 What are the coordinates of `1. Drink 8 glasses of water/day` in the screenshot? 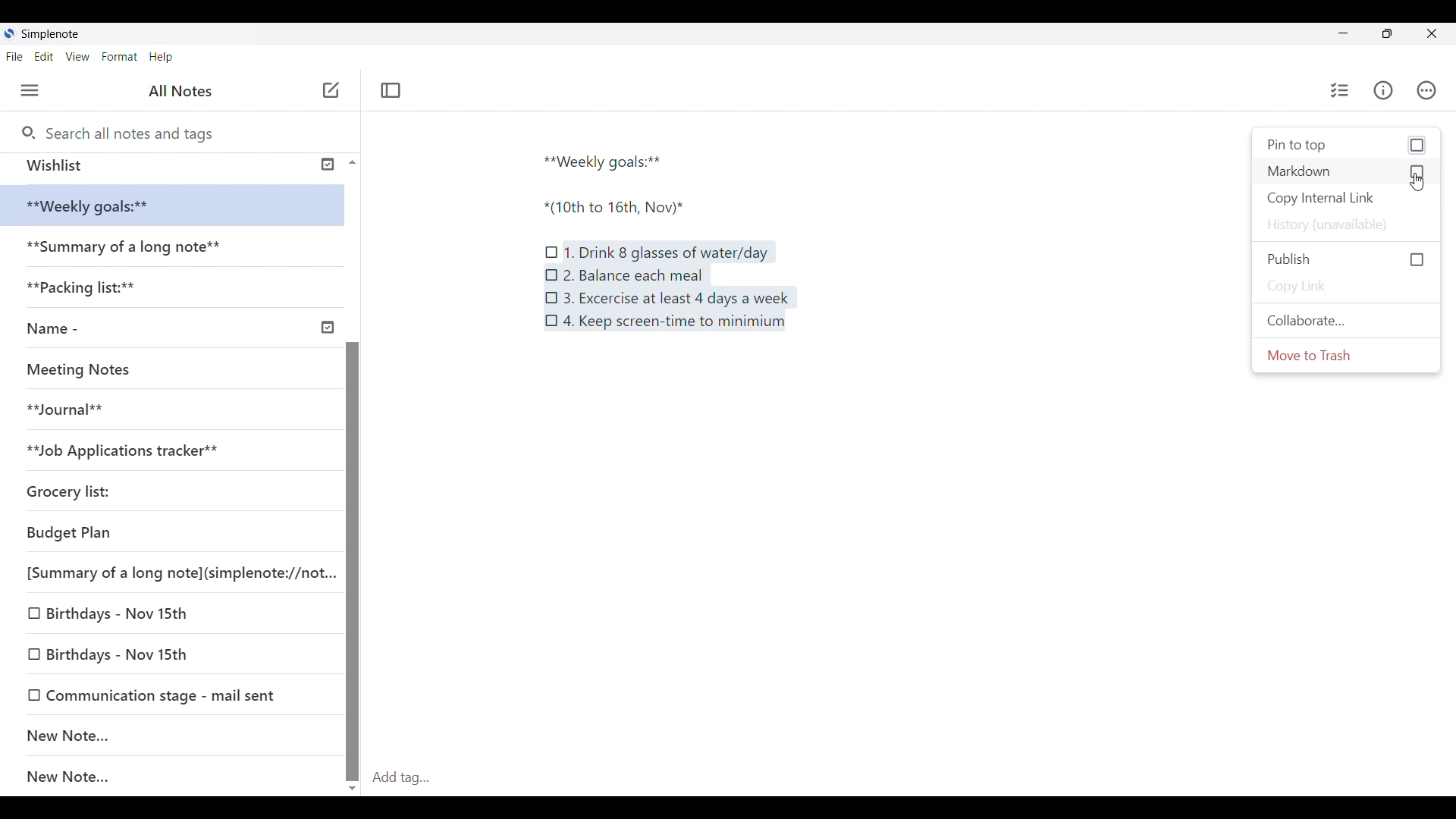 It's located at (668, 252).